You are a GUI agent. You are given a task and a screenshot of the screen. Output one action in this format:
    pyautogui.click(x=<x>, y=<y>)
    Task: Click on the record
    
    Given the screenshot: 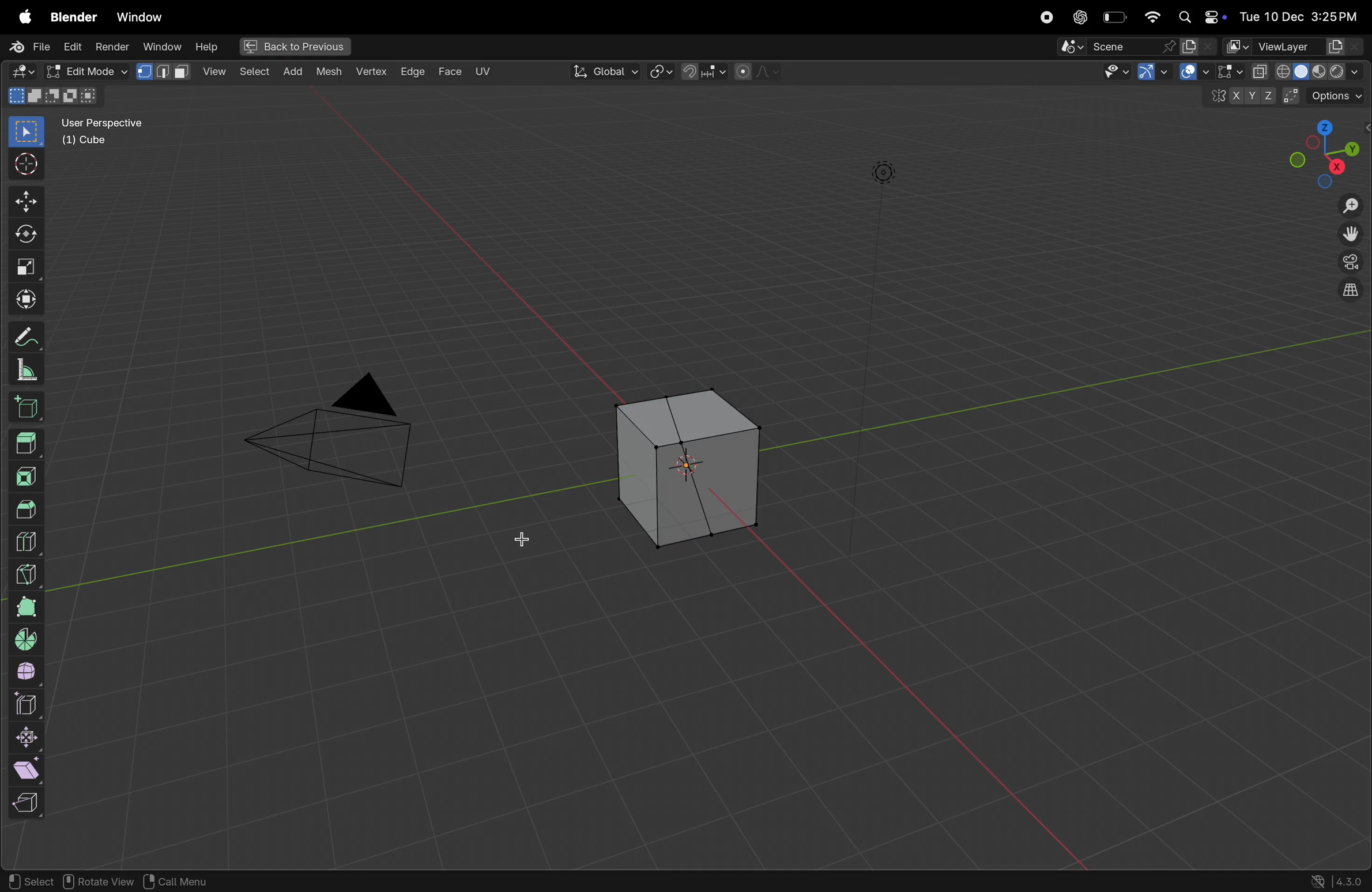 What is the action you would take?
    pyautogui.click(x=1047, y=17)
    